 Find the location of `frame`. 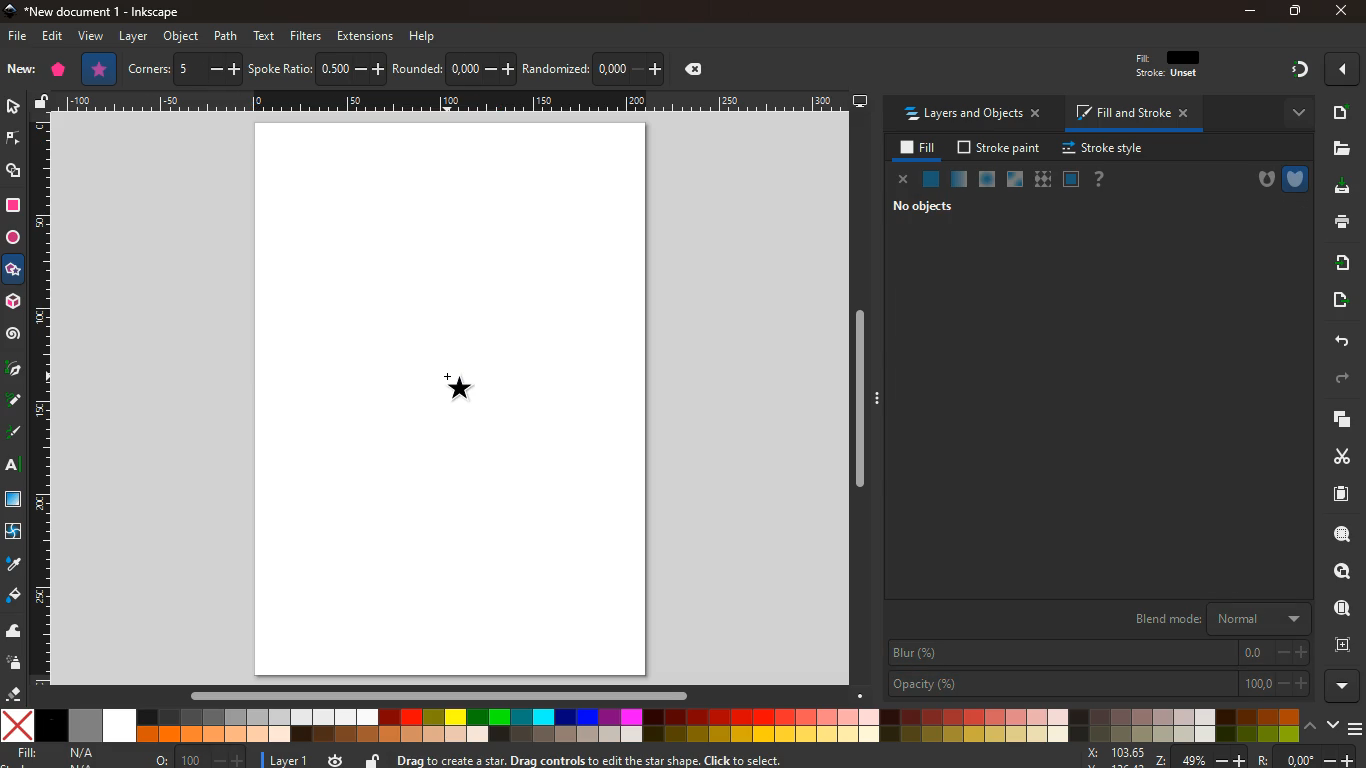

frame is located at coordinates (1343, 646).